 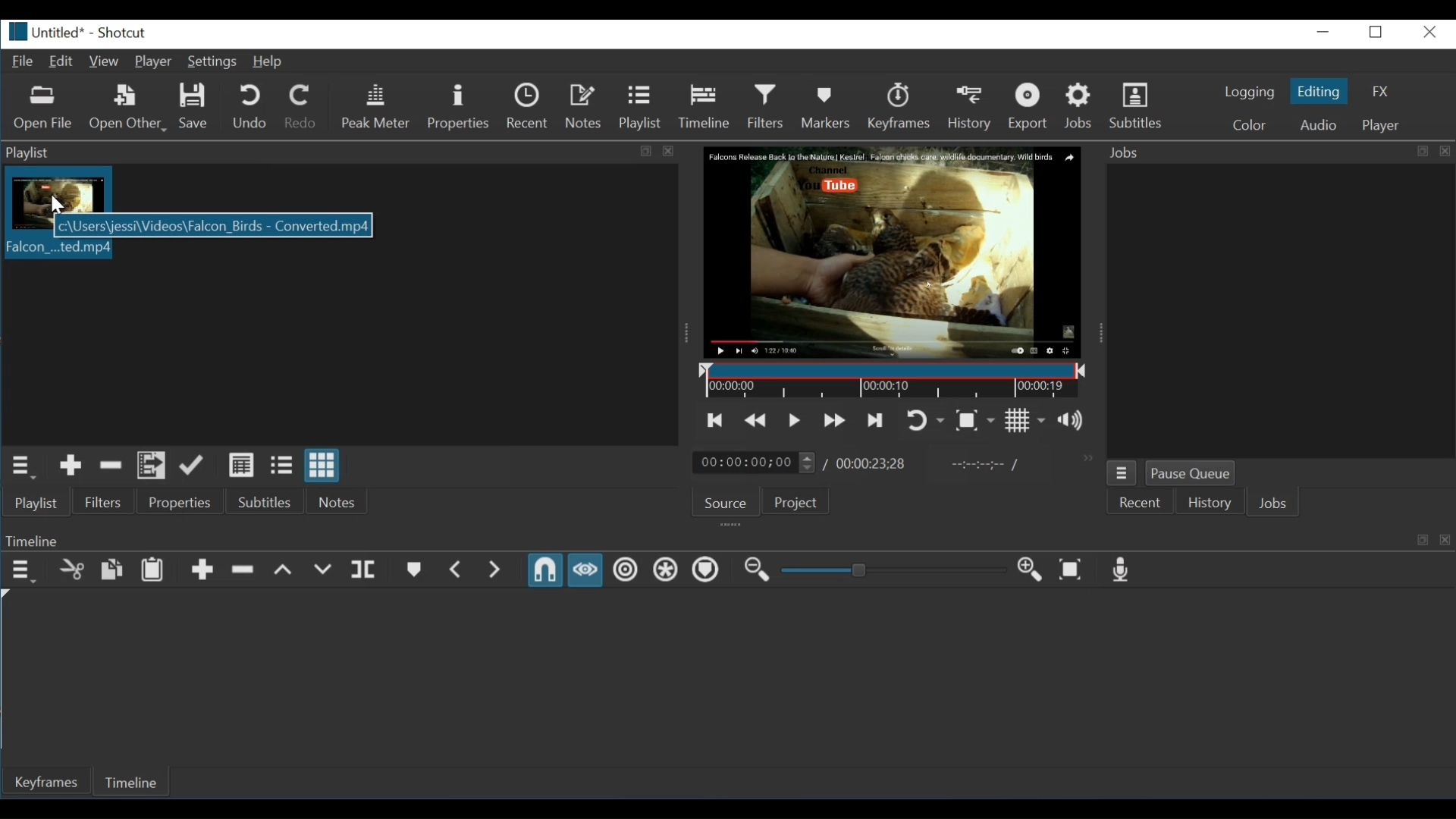 What do you see at coordinates (981, 466) in the screenshot?
I see `In oint` at bounding box center [981, 466].